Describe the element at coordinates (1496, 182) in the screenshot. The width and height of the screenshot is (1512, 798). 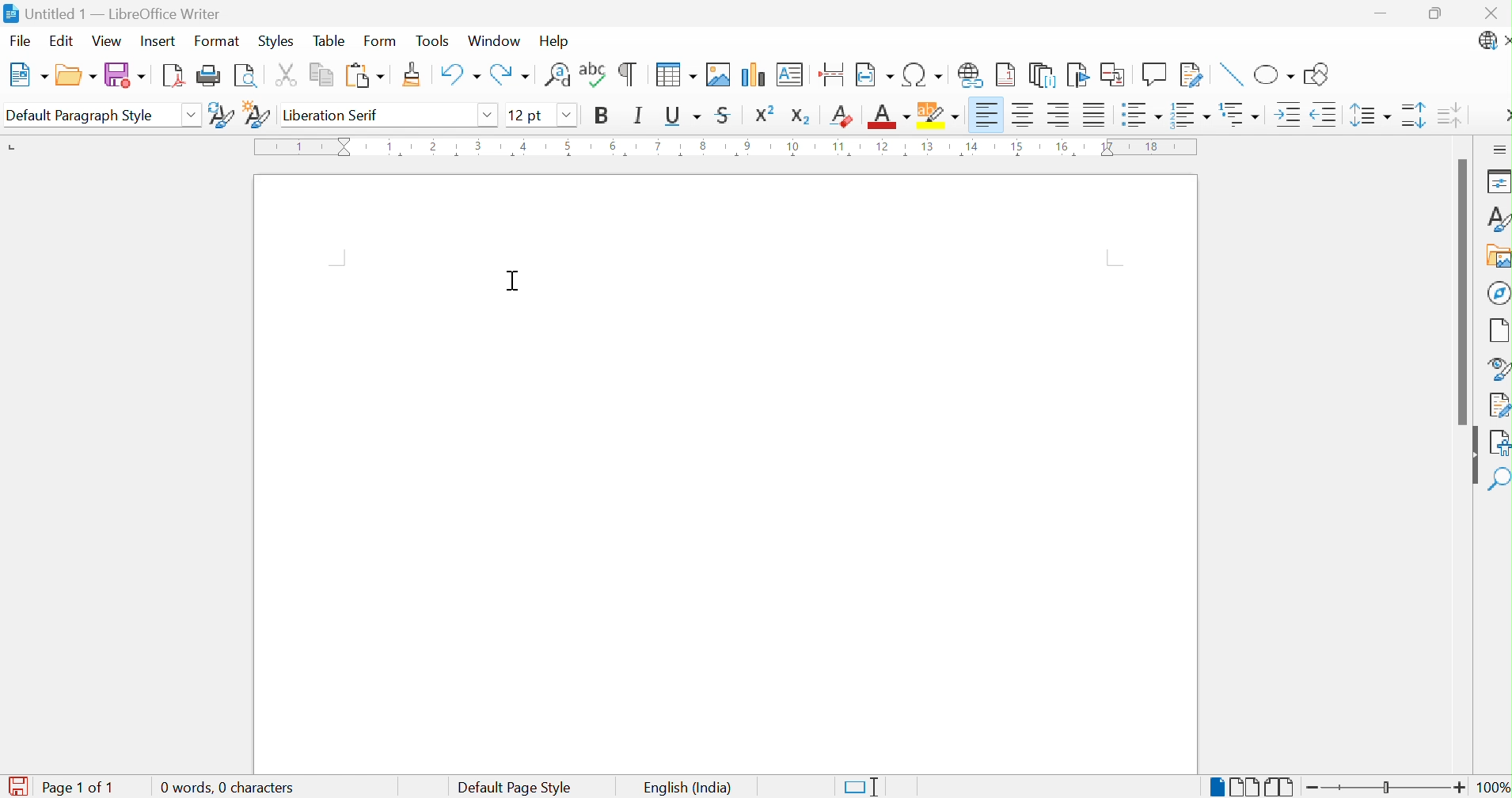
I see `Properties` at that location.